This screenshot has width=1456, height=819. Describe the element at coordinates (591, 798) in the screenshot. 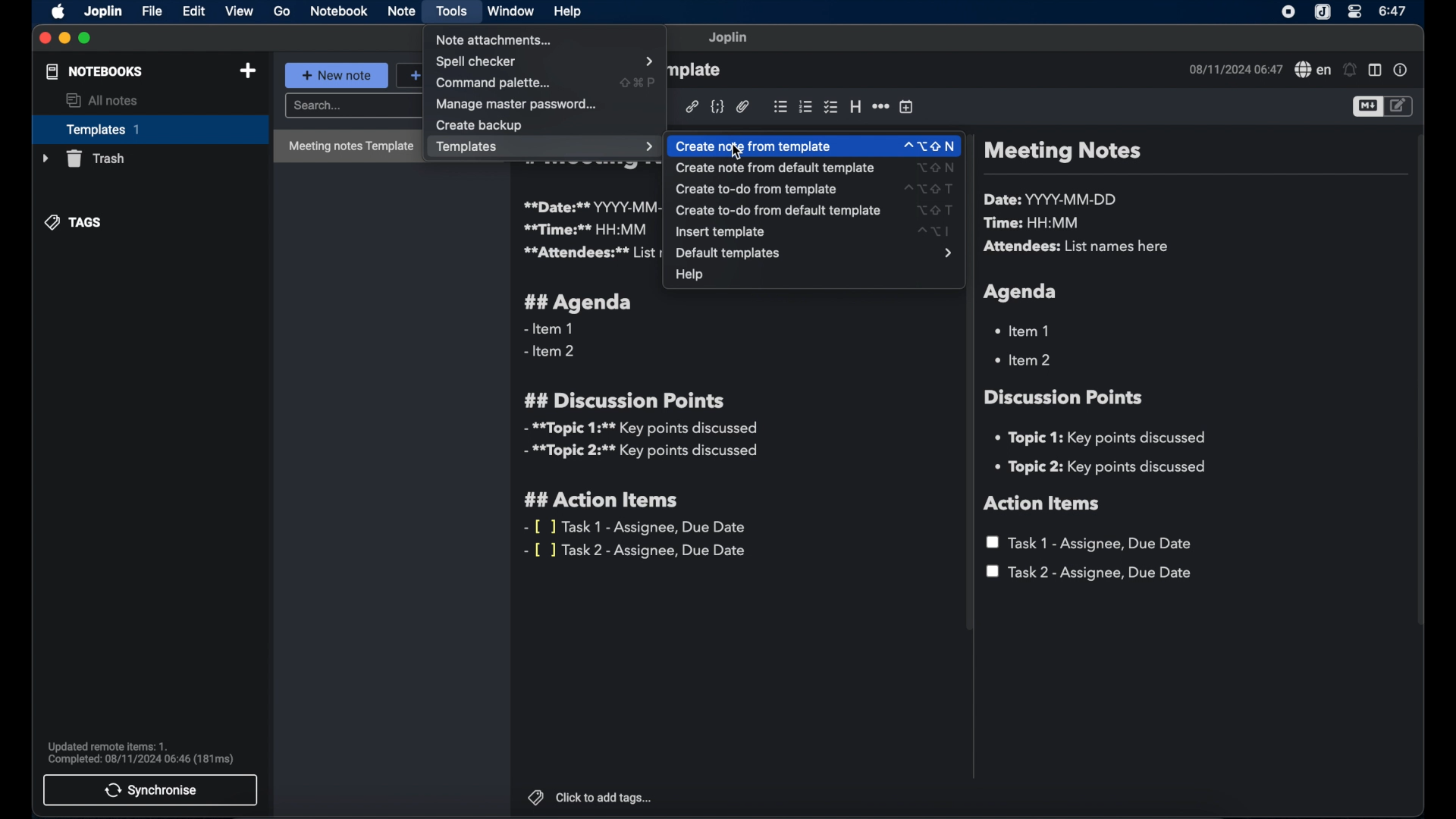

I see `click to add tags` at that location.